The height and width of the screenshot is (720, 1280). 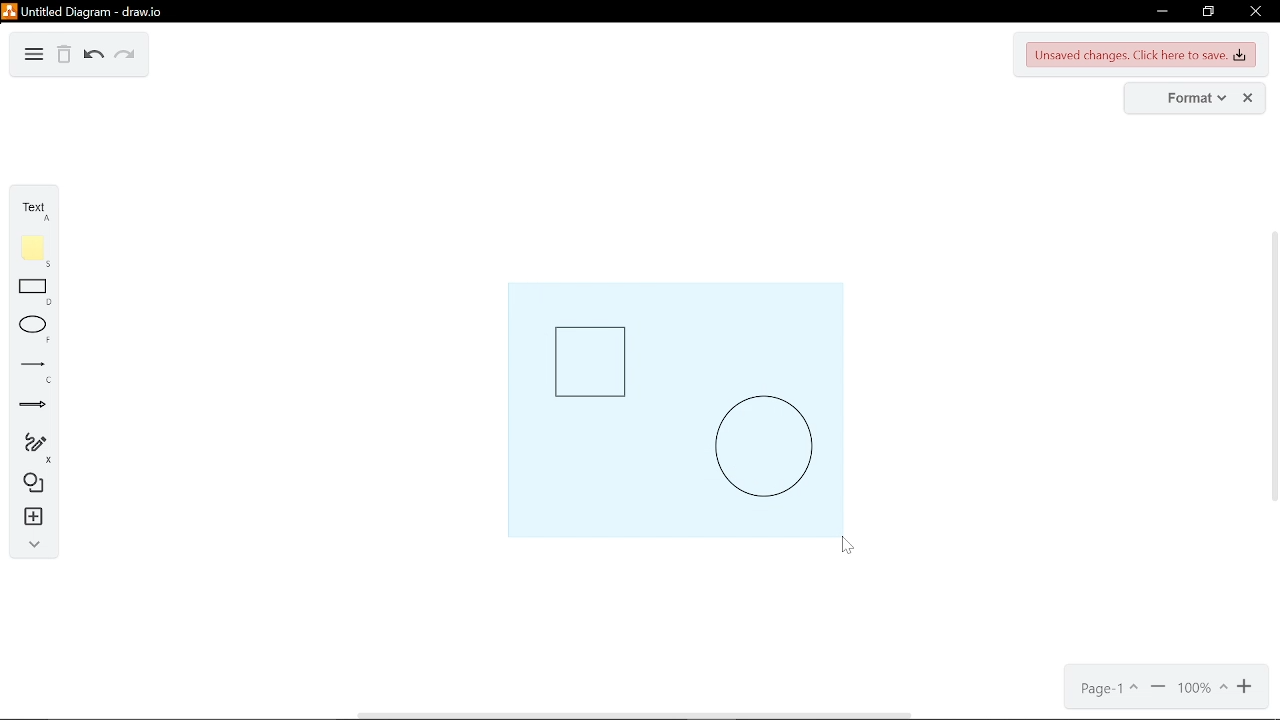 I want to click on collapse, so click(x=31, y=548).